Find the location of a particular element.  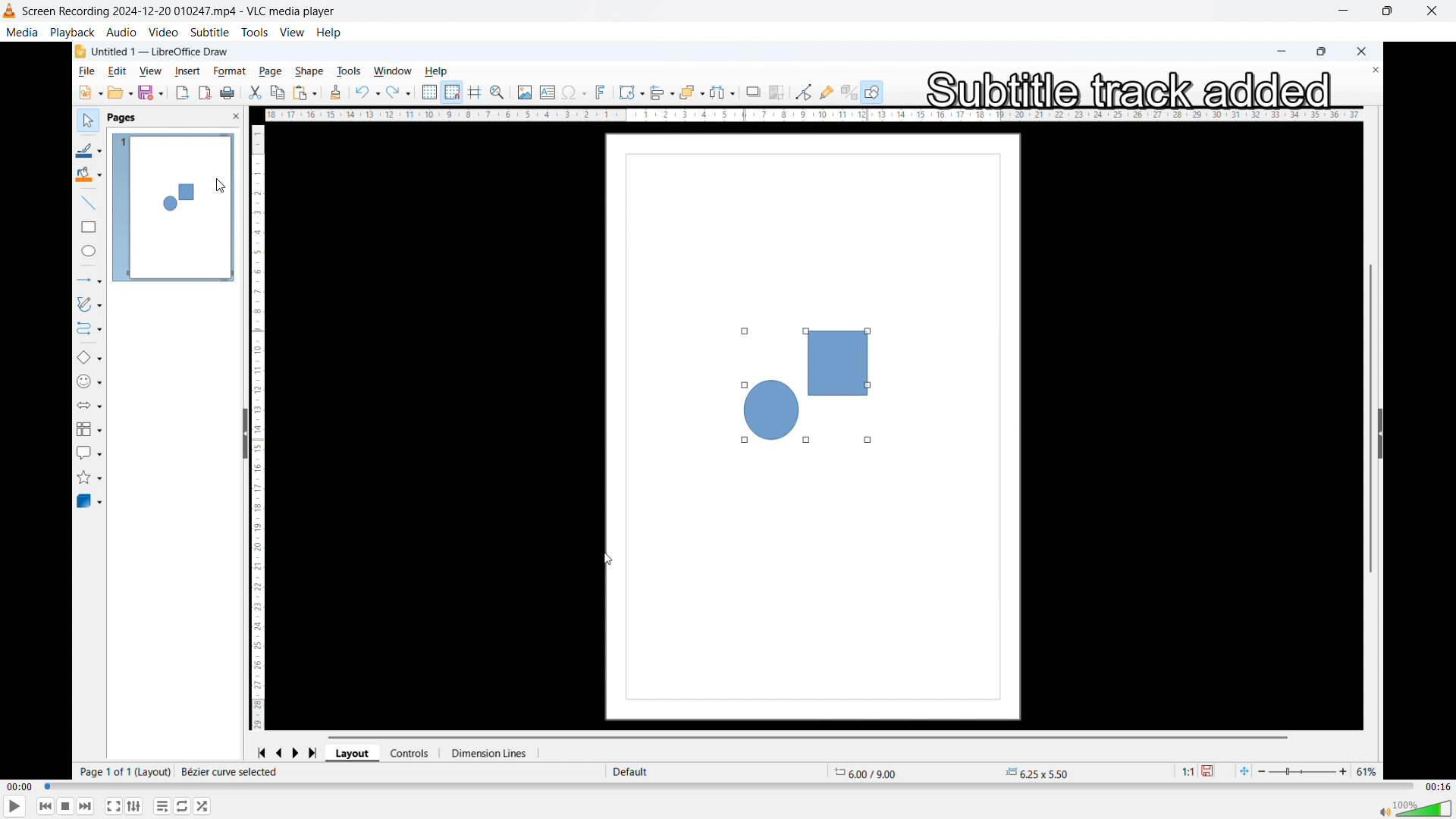

 Page 1 of 1 (Layout) is located at coordinates (124, 772).